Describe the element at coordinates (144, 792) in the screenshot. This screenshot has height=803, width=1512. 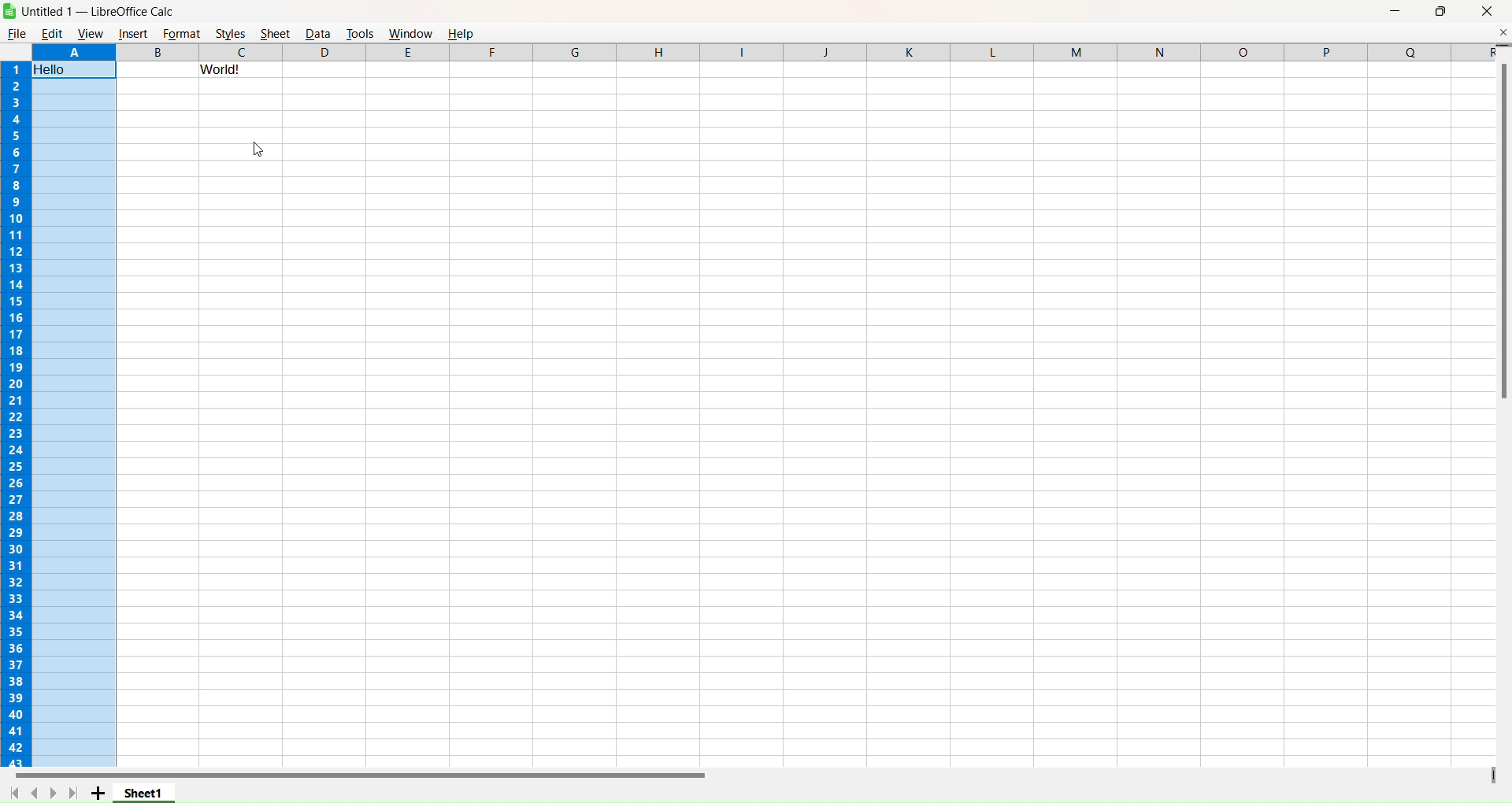
I see `Current Sheet` at that location.